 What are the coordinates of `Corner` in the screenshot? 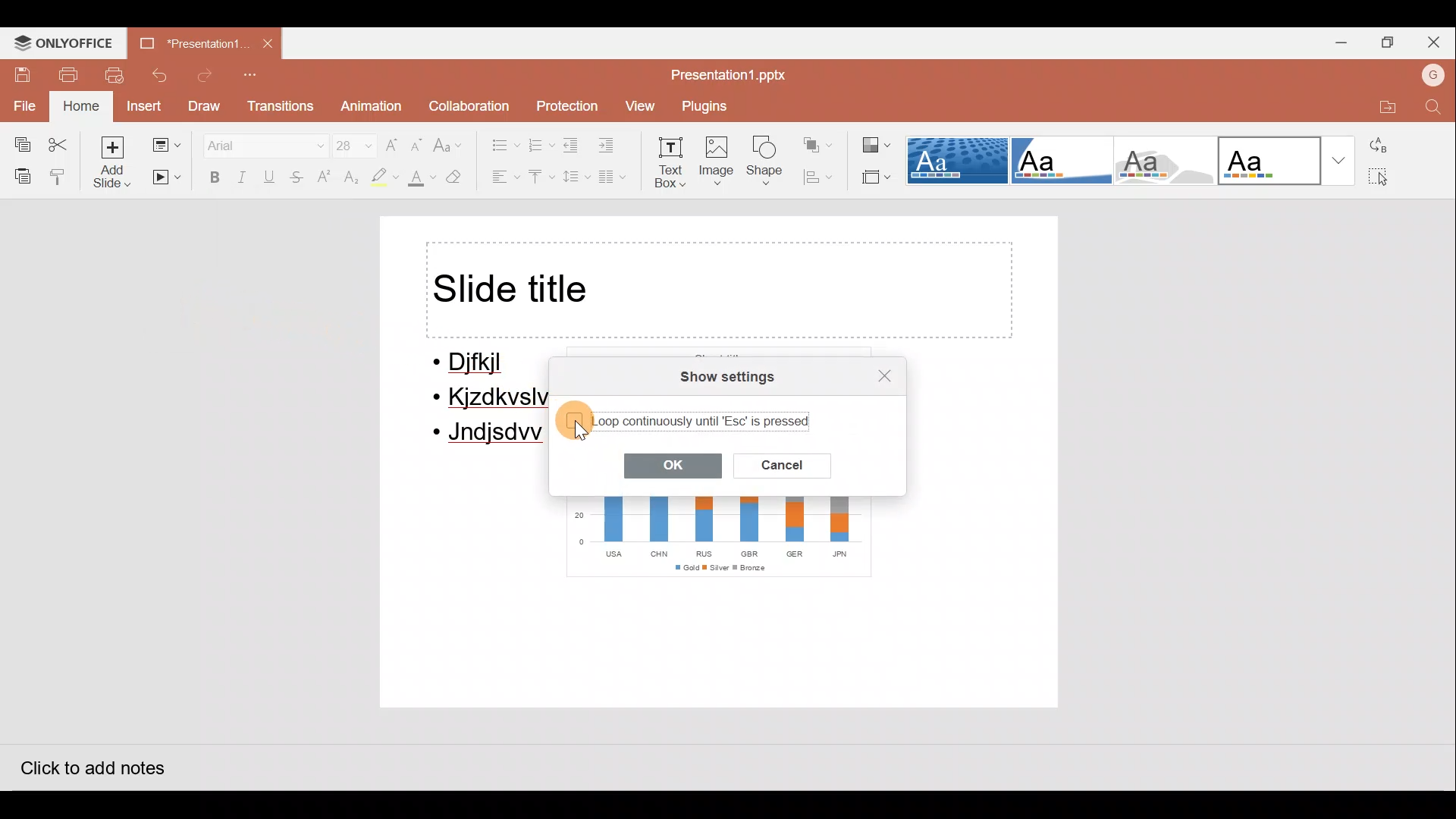 It's located at (1059, 159).